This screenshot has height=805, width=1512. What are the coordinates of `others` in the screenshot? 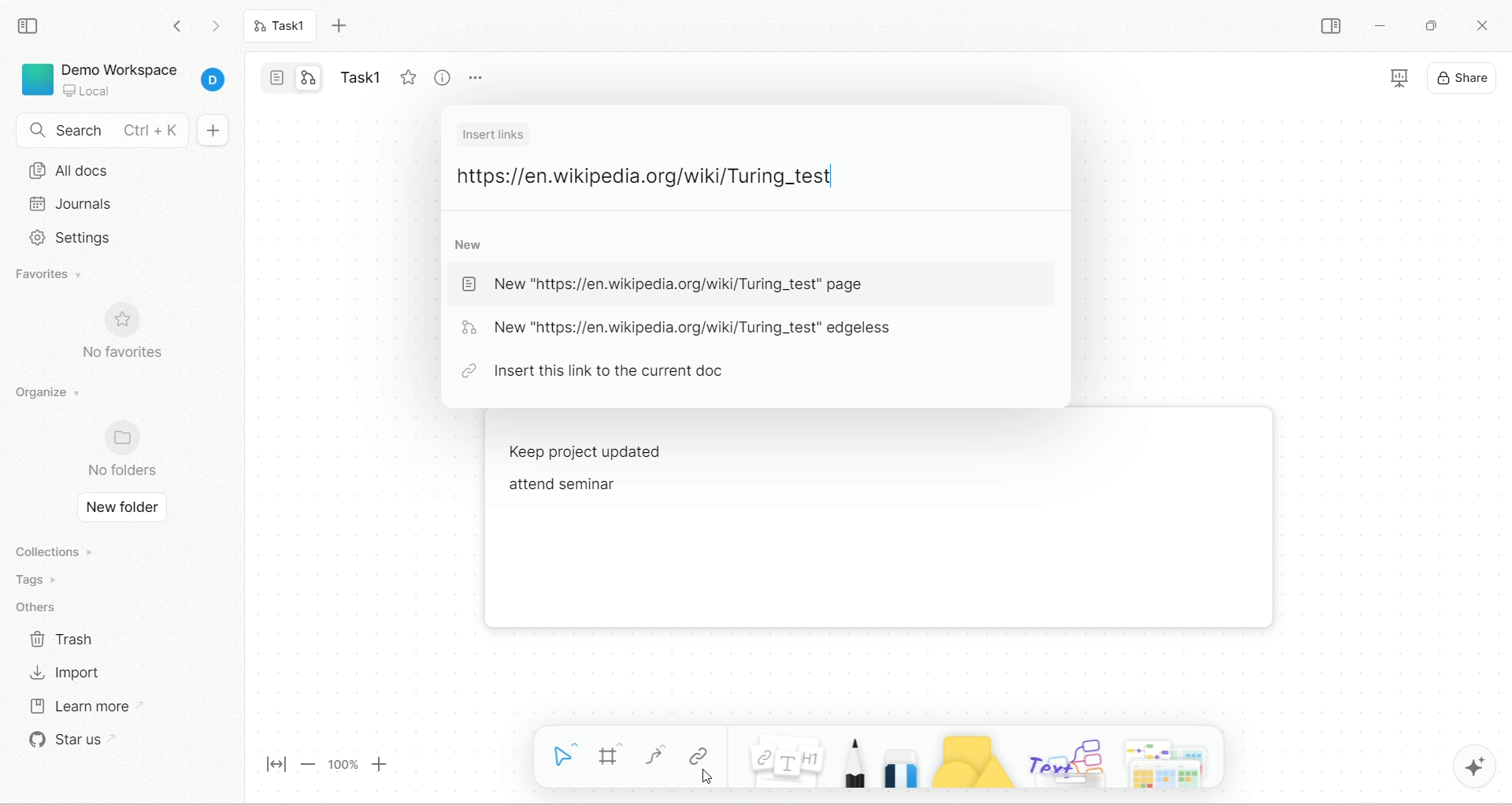 It's located at (1065, 760).